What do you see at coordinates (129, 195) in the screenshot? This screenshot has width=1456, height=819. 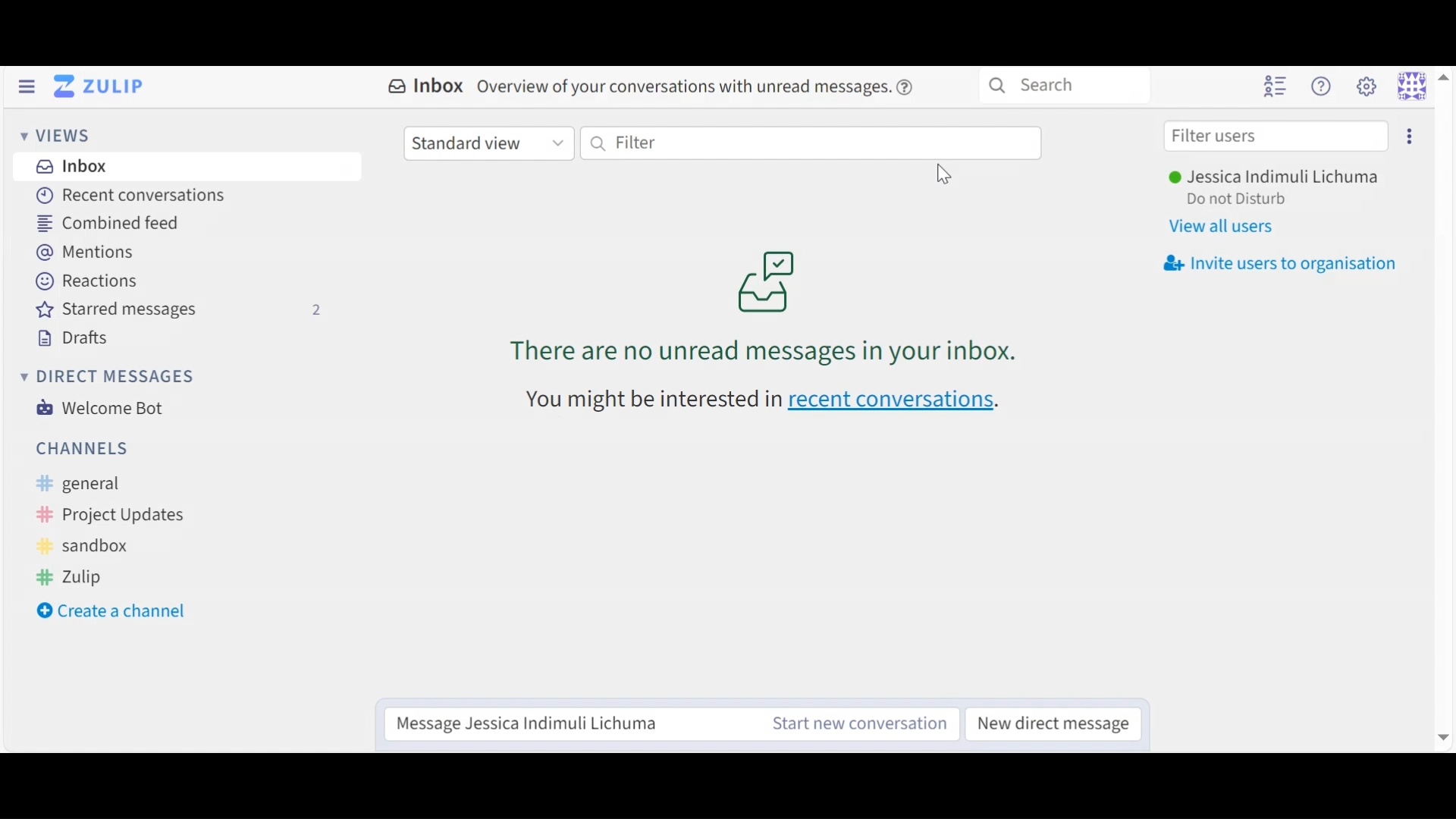 I see `Recent Conversations` at bounding box center [129, 195].